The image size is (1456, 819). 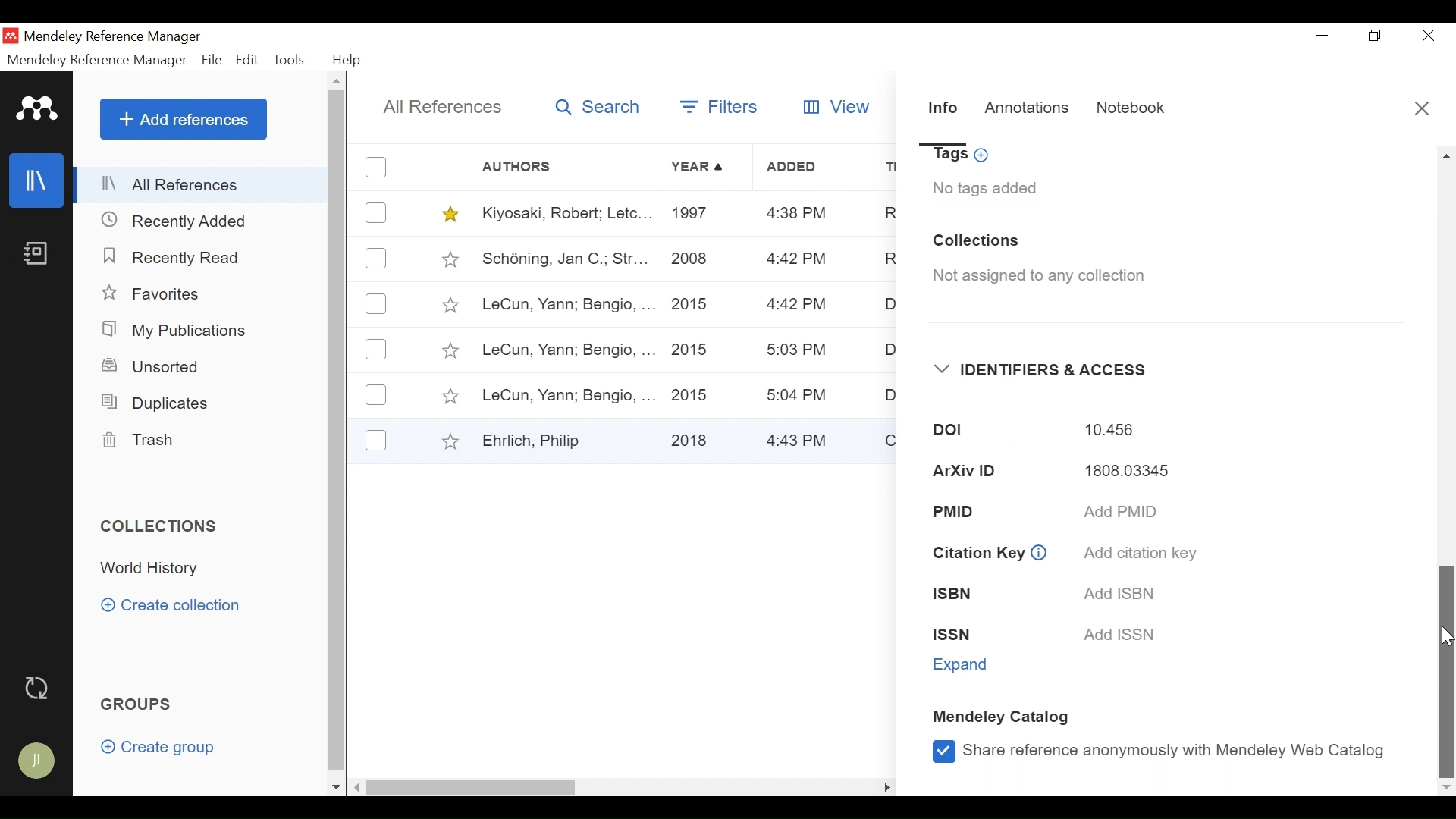 What do you see at coordinates (475, 786) in the screenshot?
I see `horizontal scroll bar` at bounding box center [475, 786].